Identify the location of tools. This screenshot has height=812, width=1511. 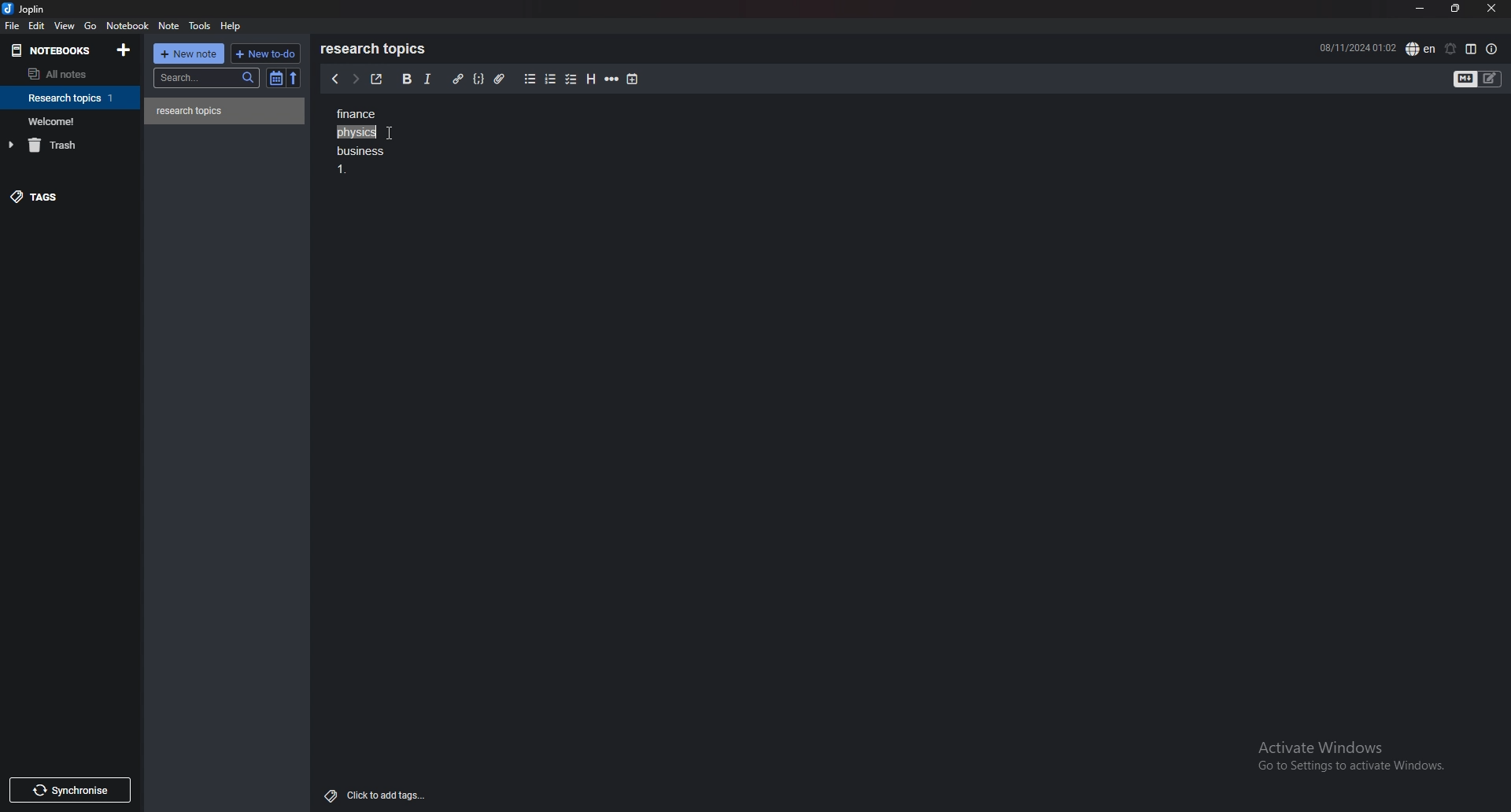
(200, 26).